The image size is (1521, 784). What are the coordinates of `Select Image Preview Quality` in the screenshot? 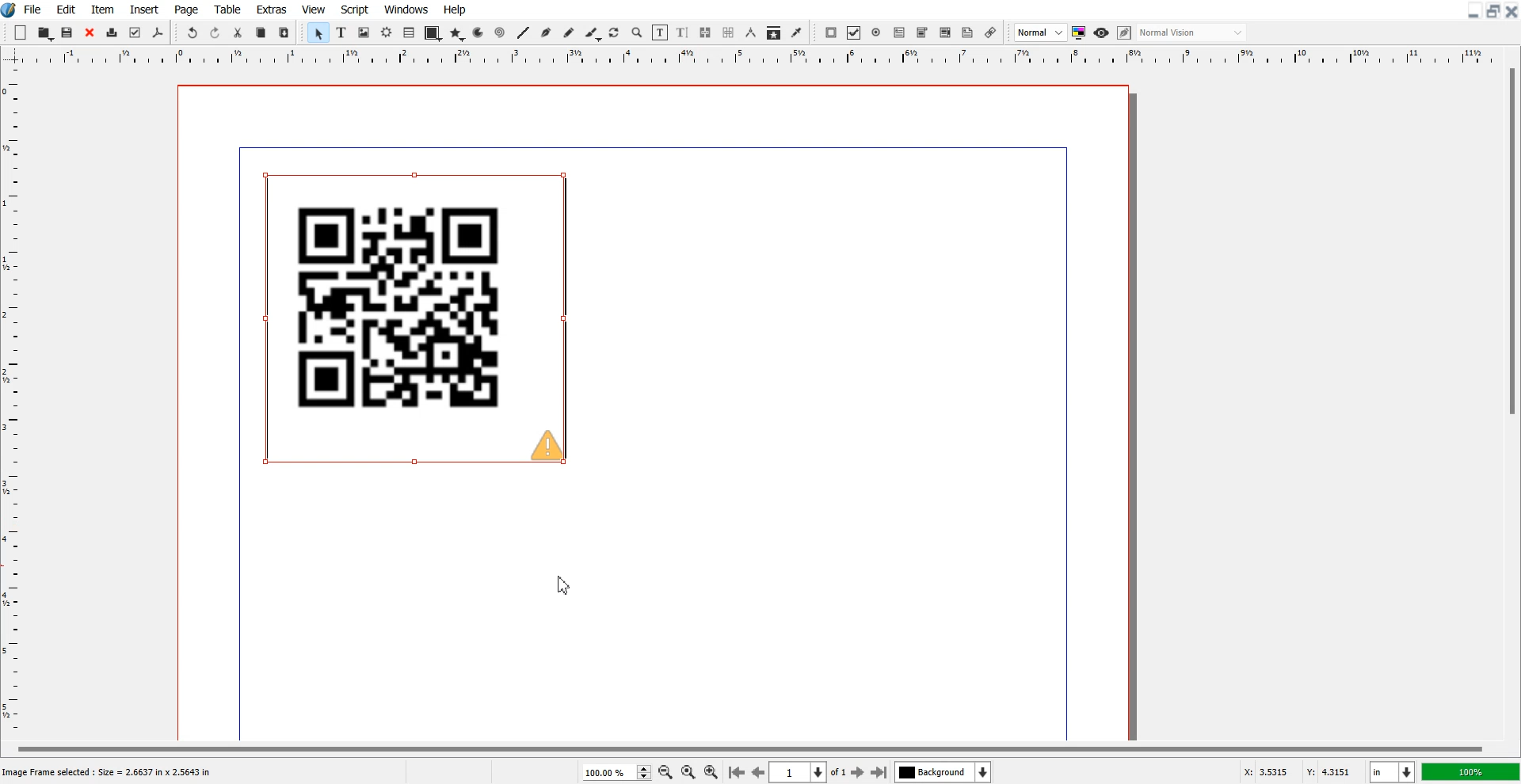 It's located at (1040, 32).